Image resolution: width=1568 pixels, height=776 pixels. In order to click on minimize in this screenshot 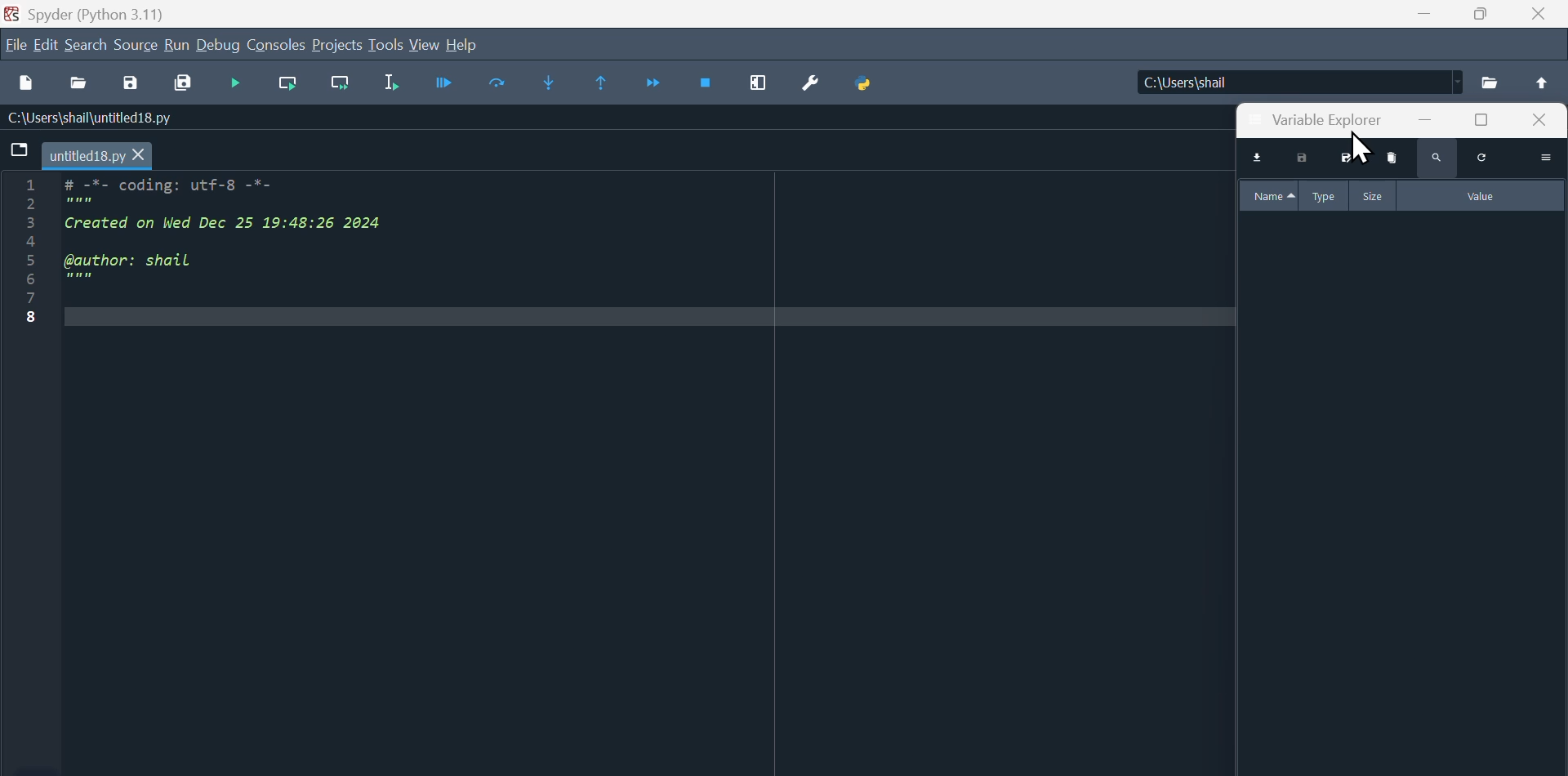, I will do `click(1442, 122)`.